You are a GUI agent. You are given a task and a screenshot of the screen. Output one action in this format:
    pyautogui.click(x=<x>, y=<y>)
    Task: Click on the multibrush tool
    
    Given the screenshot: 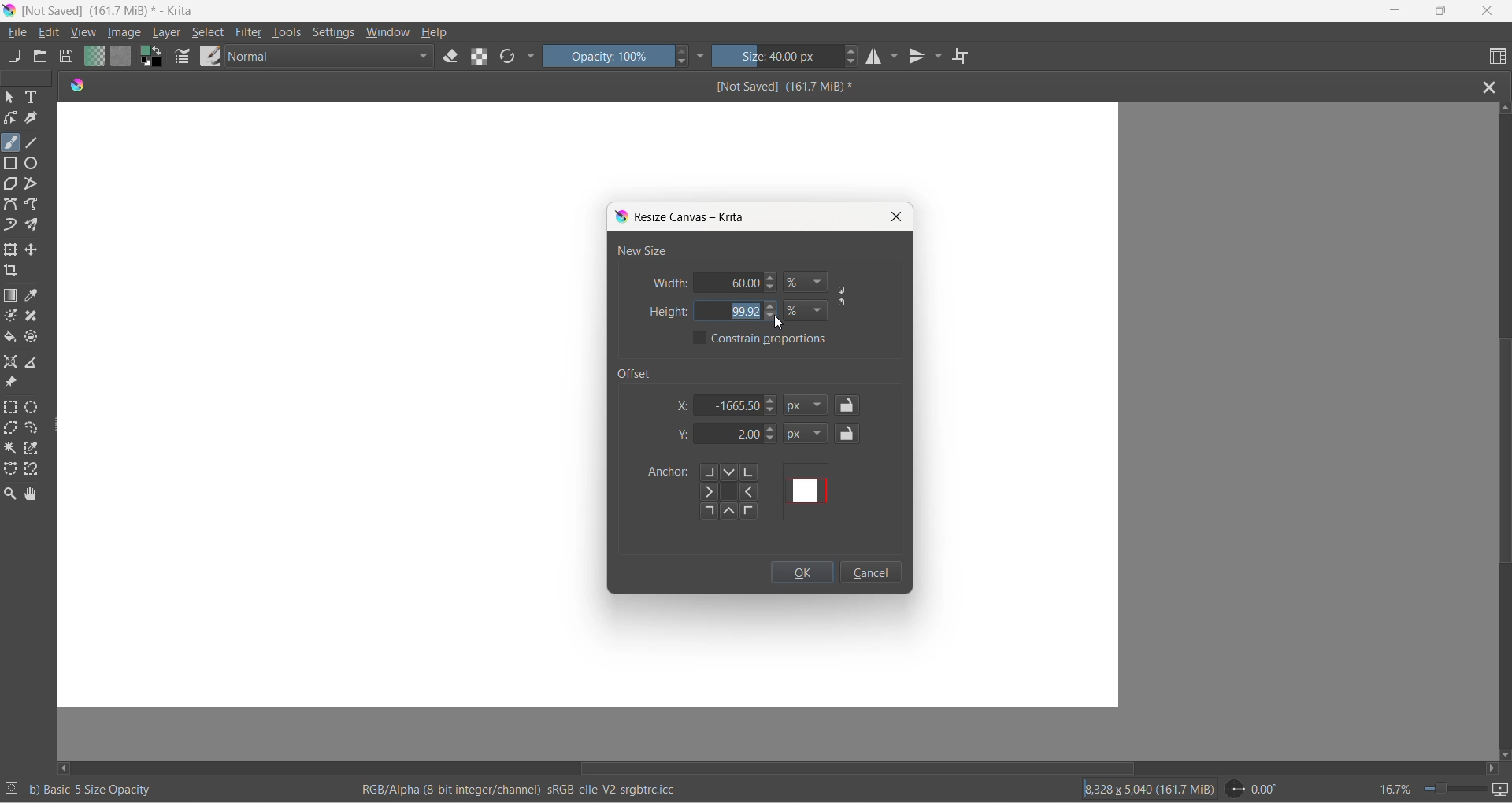 What is the action you would take?
    pyautogui.click(x=37, y=225)
    